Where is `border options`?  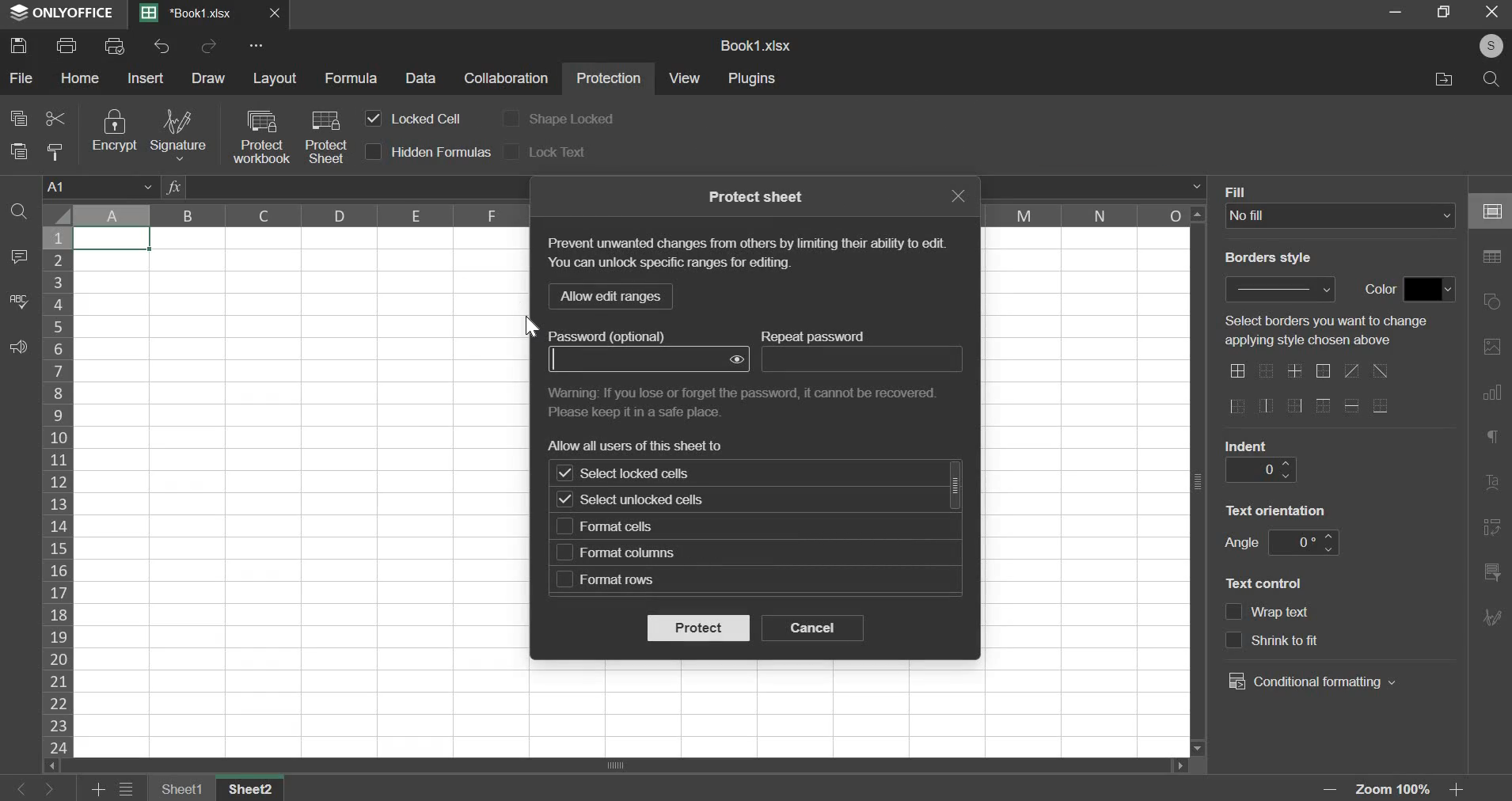 border options is located at coordinates (1296, 371).